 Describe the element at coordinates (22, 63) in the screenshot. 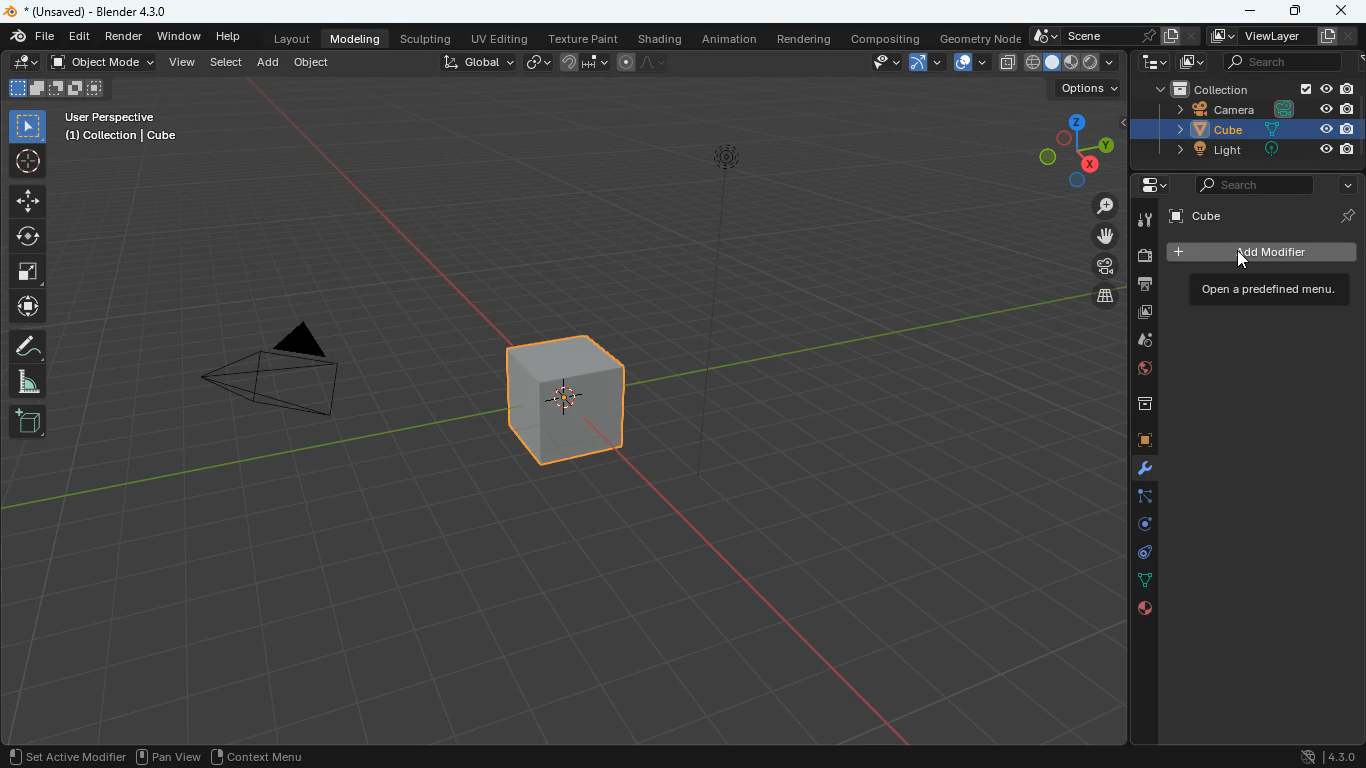

I see `edit` at that location.